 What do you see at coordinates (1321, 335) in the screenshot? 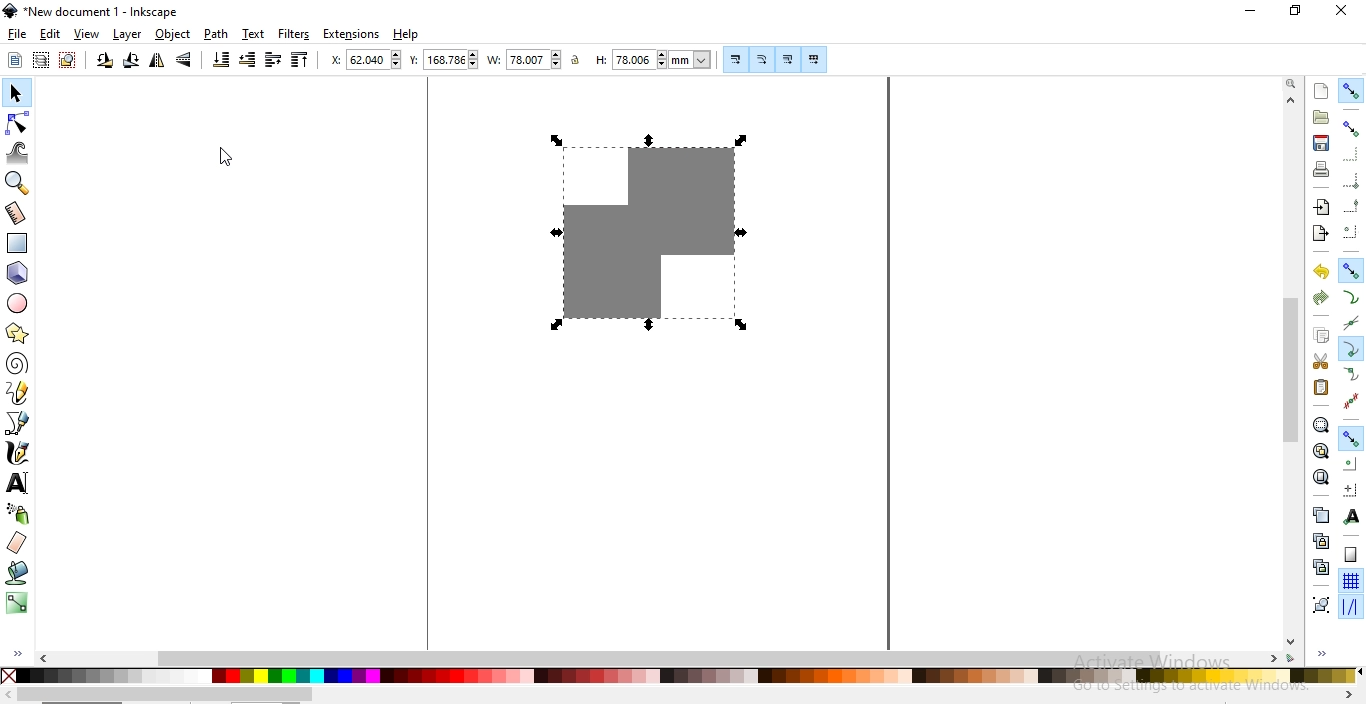
I see `copy` at bounding box center [1321, 335].